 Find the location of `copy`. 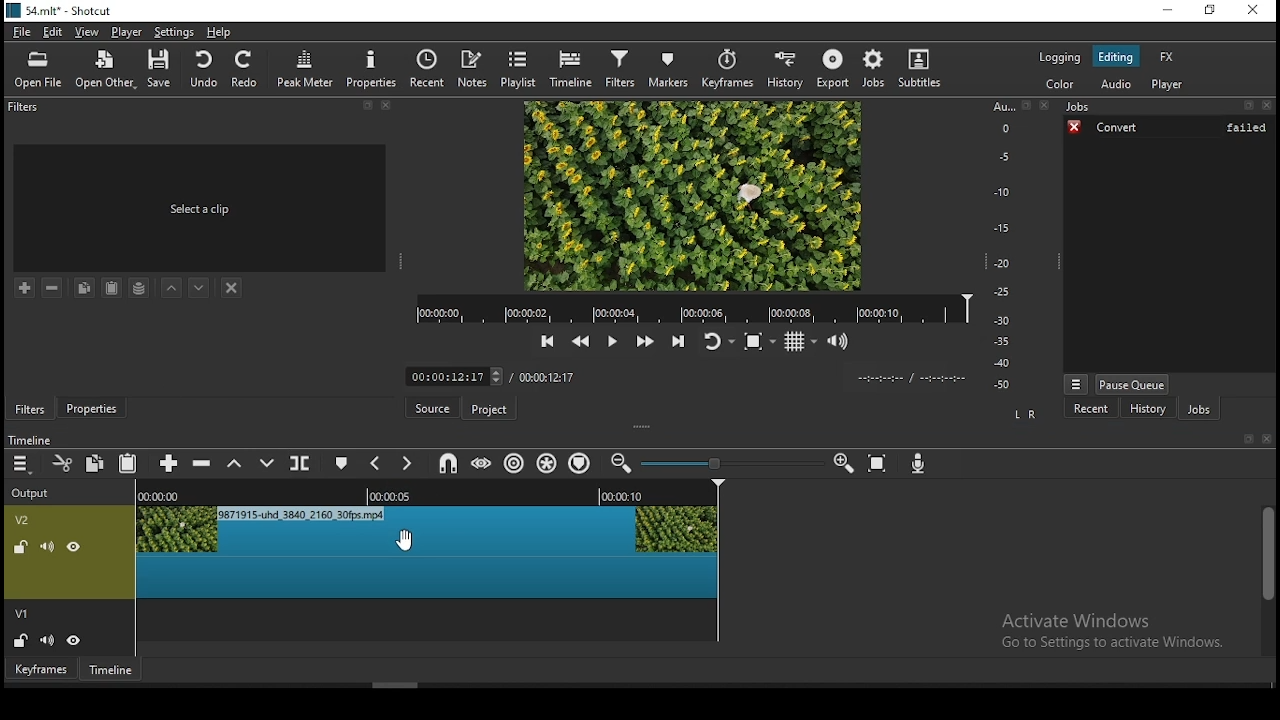

copy is located at coordinates (95, 462).